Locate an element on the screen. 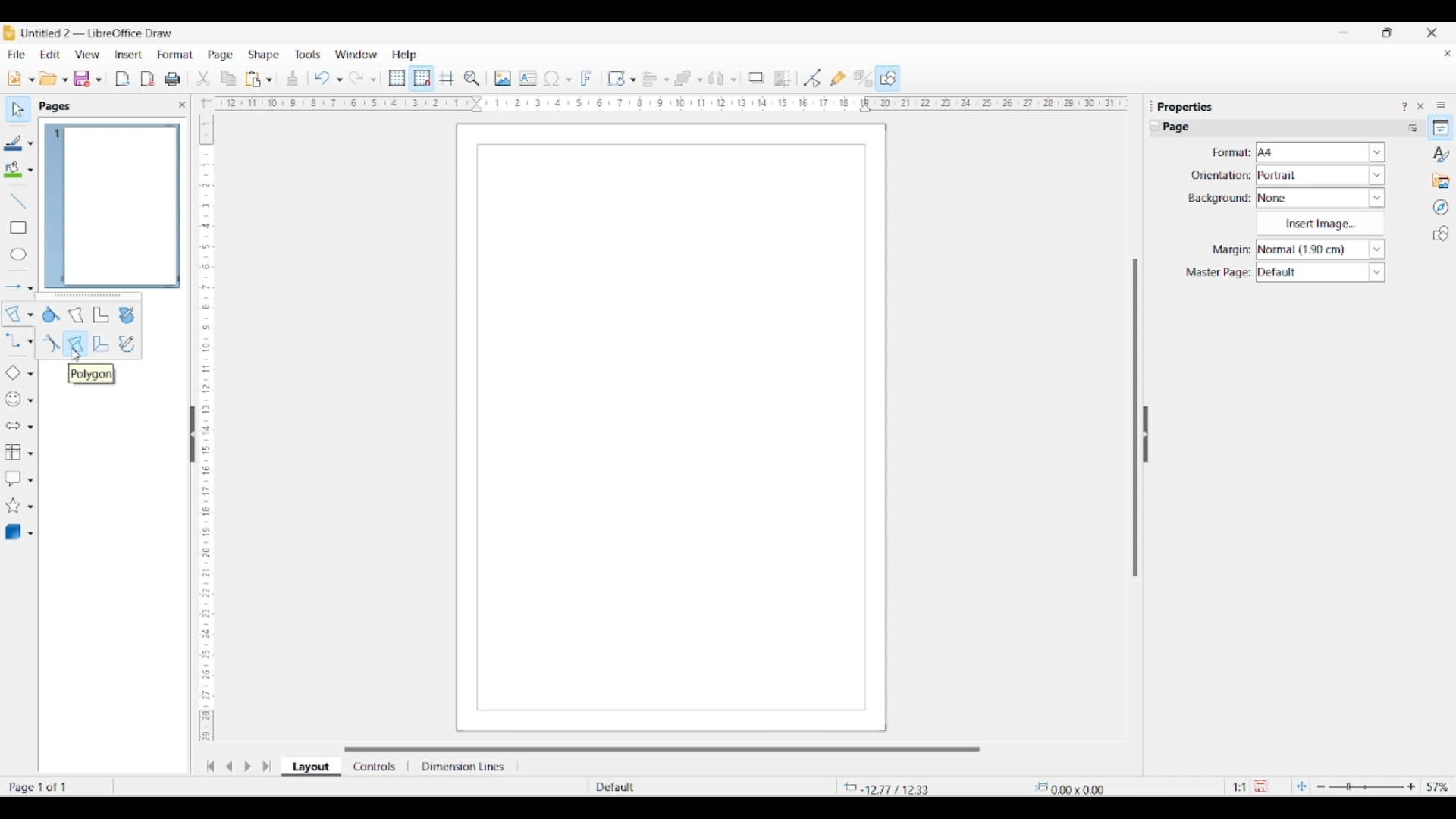 The width and height of the screenshot is (1456, 819). Float properties panel is located at coordinates (1151, 106).